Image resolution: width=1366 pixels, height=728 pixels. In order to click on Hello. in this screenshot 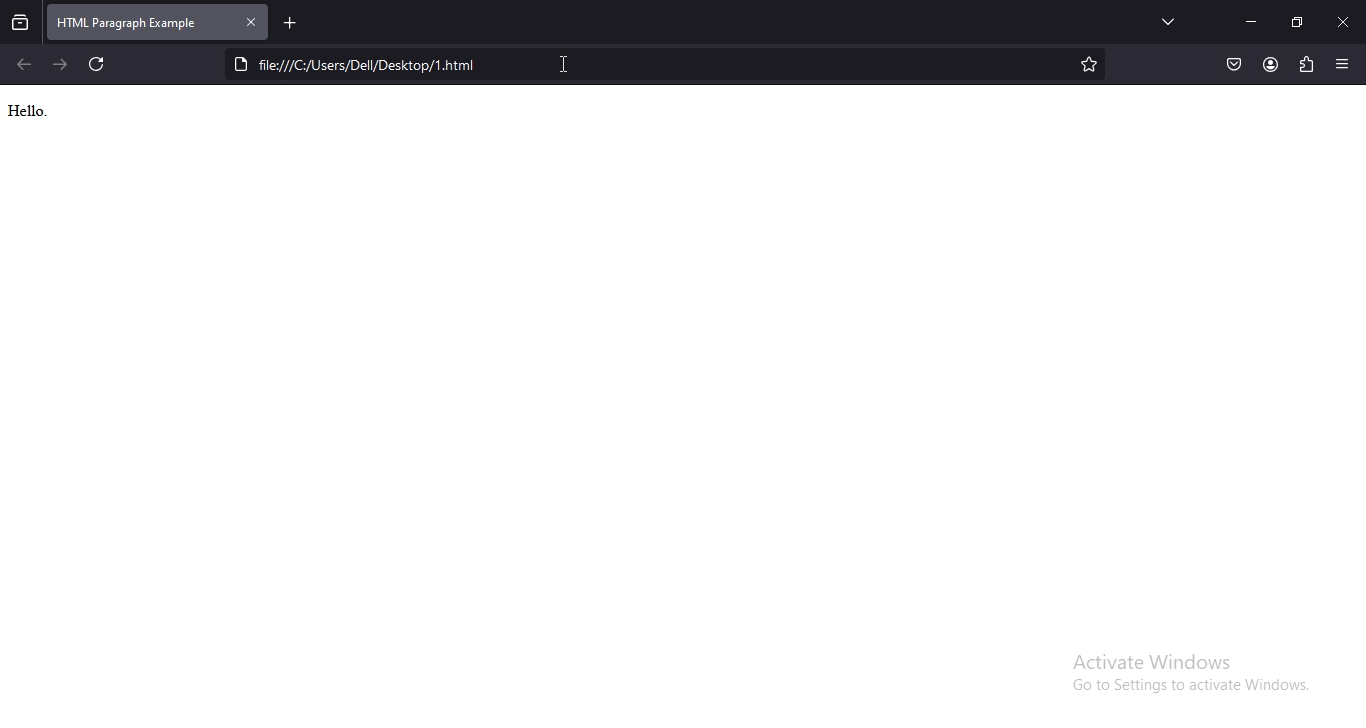, I will do `click(38, 111)`.